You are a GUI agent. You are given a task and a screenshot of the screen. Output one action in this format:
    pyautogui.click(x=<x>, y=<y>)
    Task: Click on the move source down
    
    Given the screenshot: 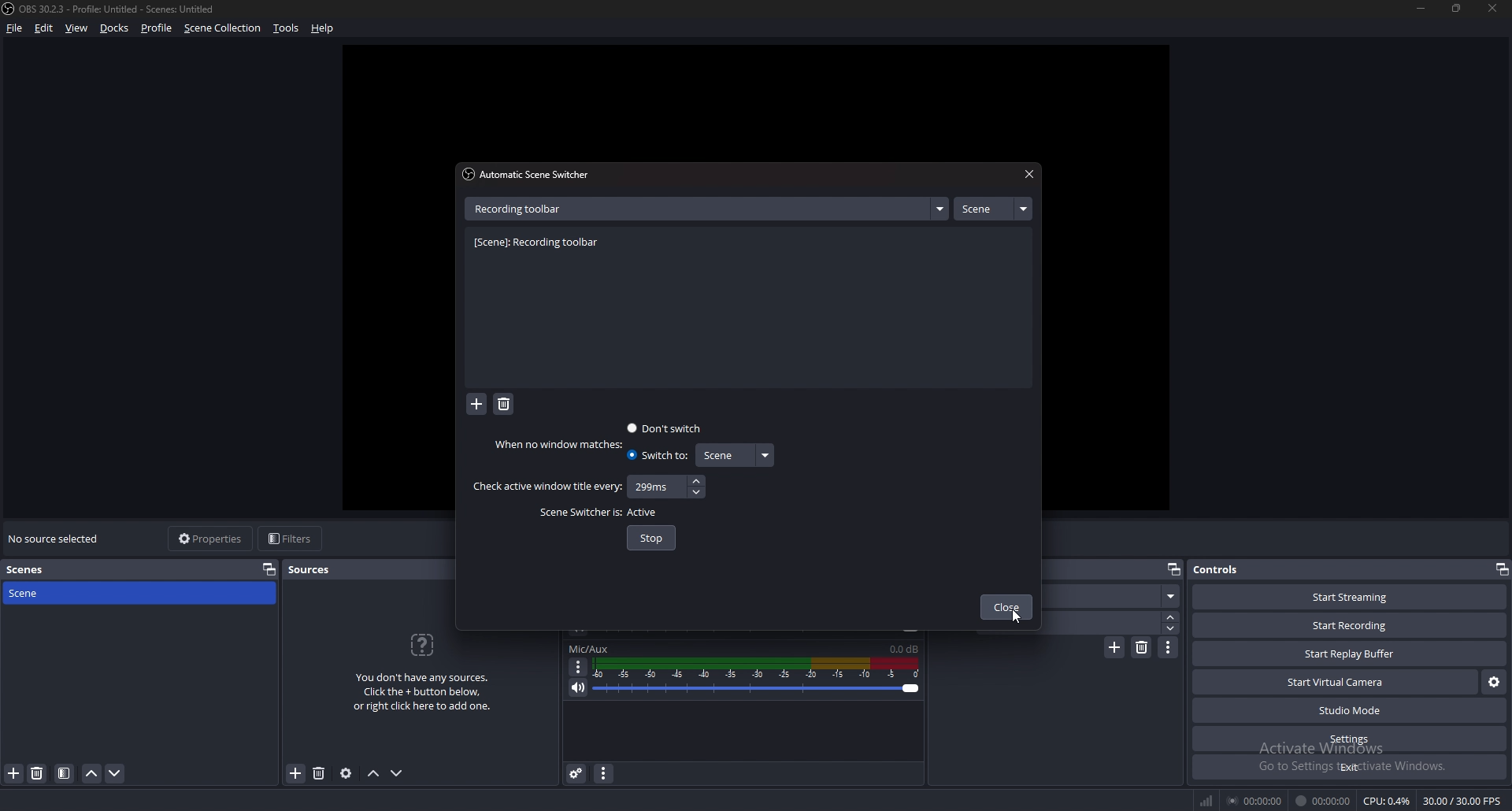 What is the action you would take?
    pyautogui.click(x=397, y=774)
    